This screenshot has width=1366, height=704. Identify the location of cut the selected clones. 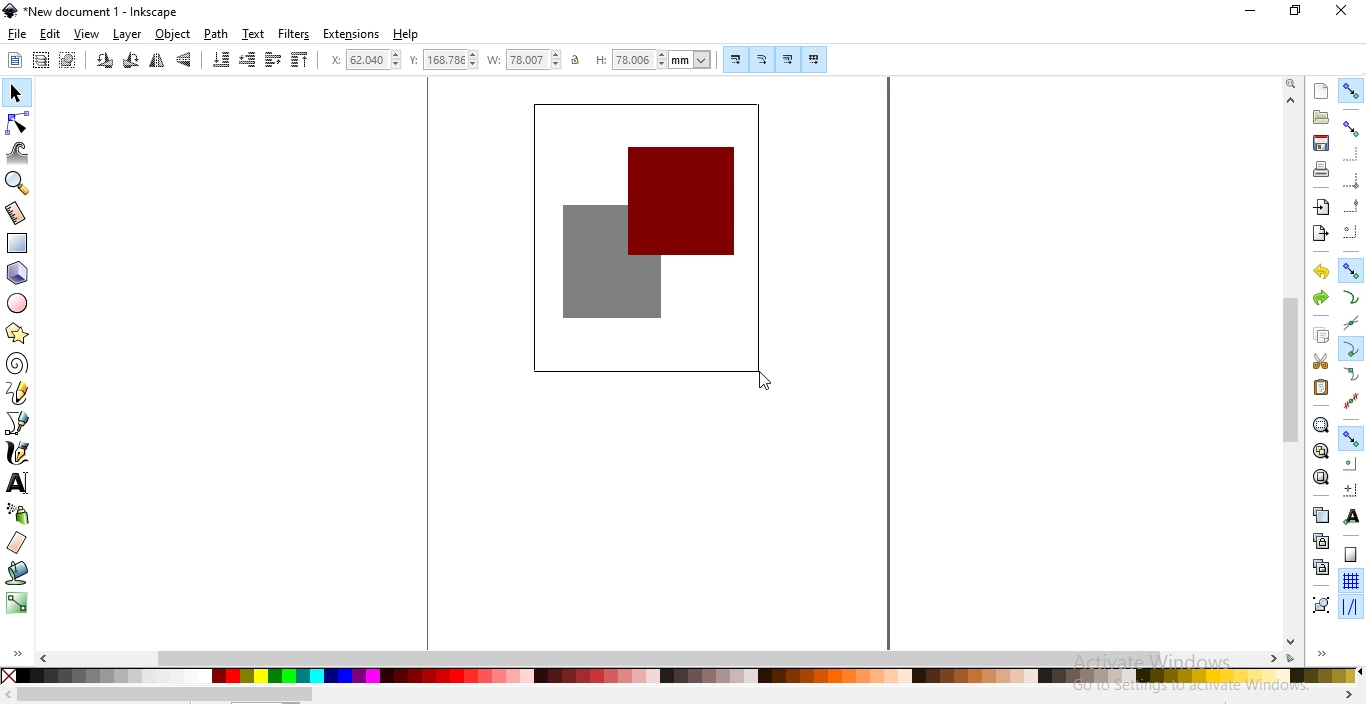
(1321, 566).